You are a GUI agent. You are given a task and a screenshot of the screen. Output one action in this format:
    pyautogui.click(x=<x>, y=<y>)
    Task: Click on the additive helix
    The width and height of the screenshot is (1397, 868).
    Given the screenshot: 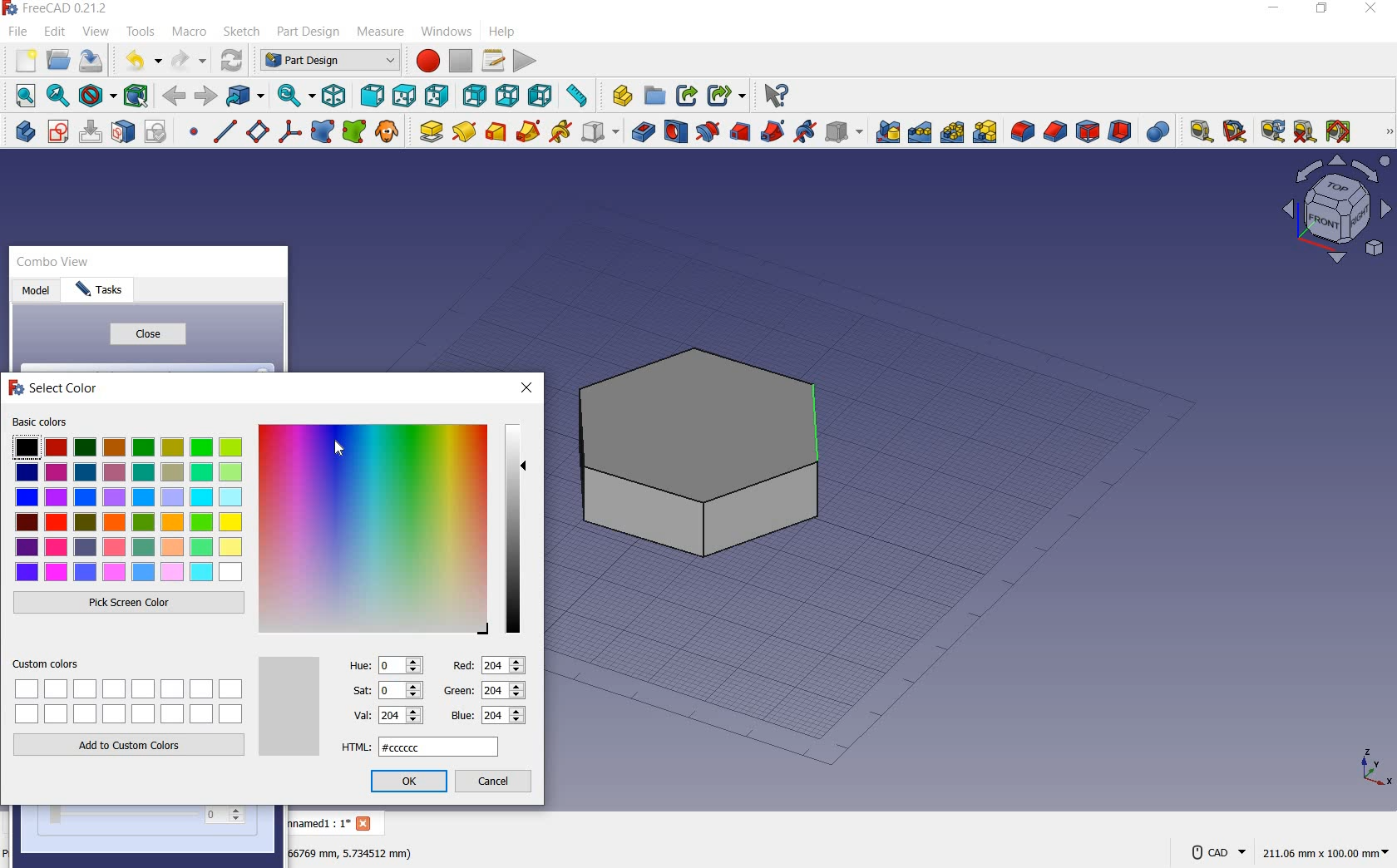 What is the action you would take?
    pyautogui.click(x=561, y=131)
    